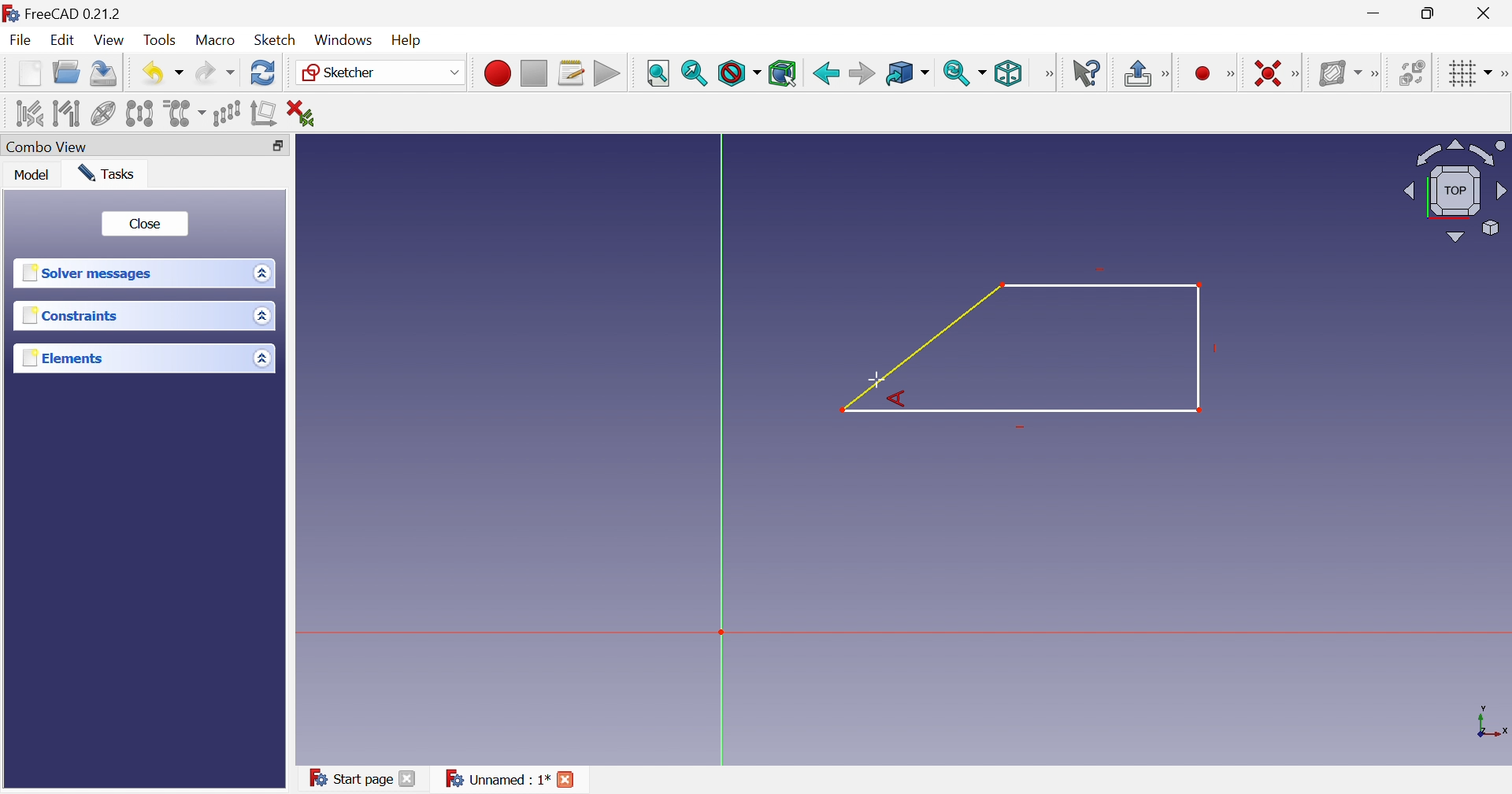 The image size is (1512, 794). Describe the element at coordinates (229, 114) in the screenshot. I see `Rectangular array` at that location.